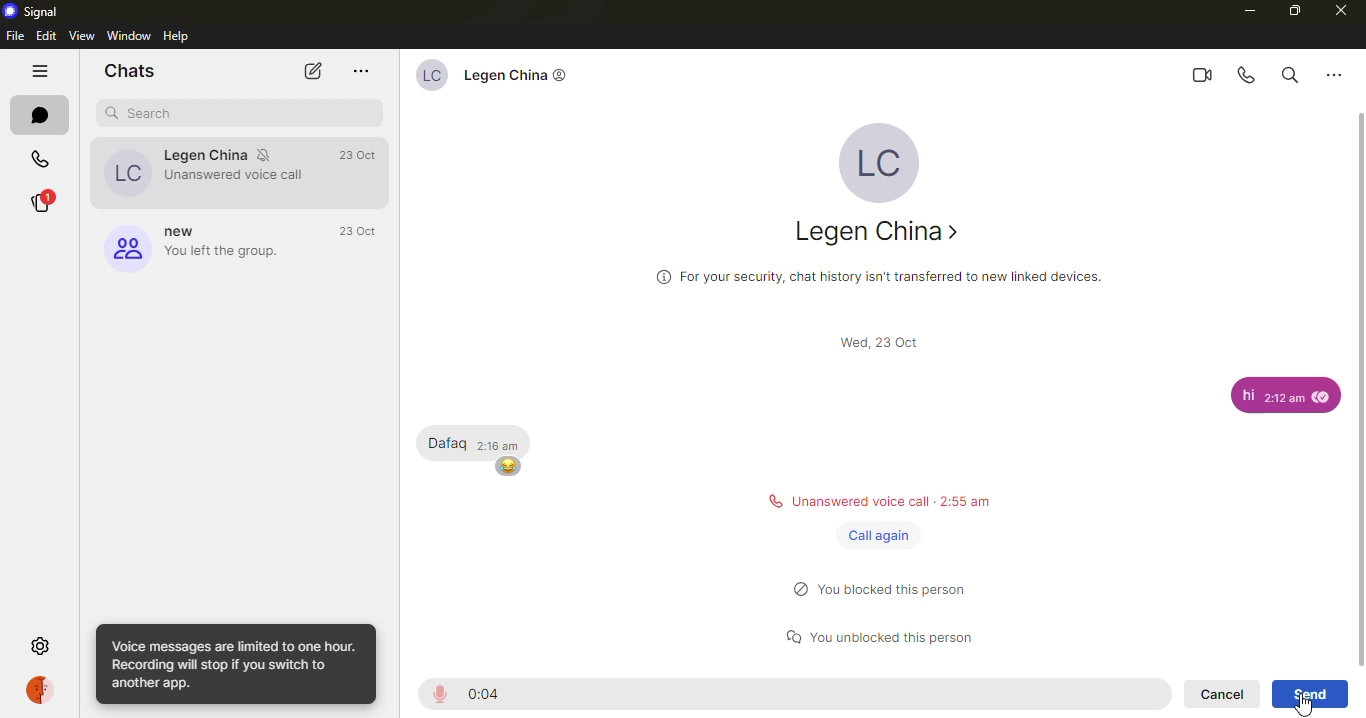 The width and height of the screenshot is (1366, 718). What do you see at coordinates (880, 497) in the screenshot?
I see `status message` at bounding box center [880, 497].